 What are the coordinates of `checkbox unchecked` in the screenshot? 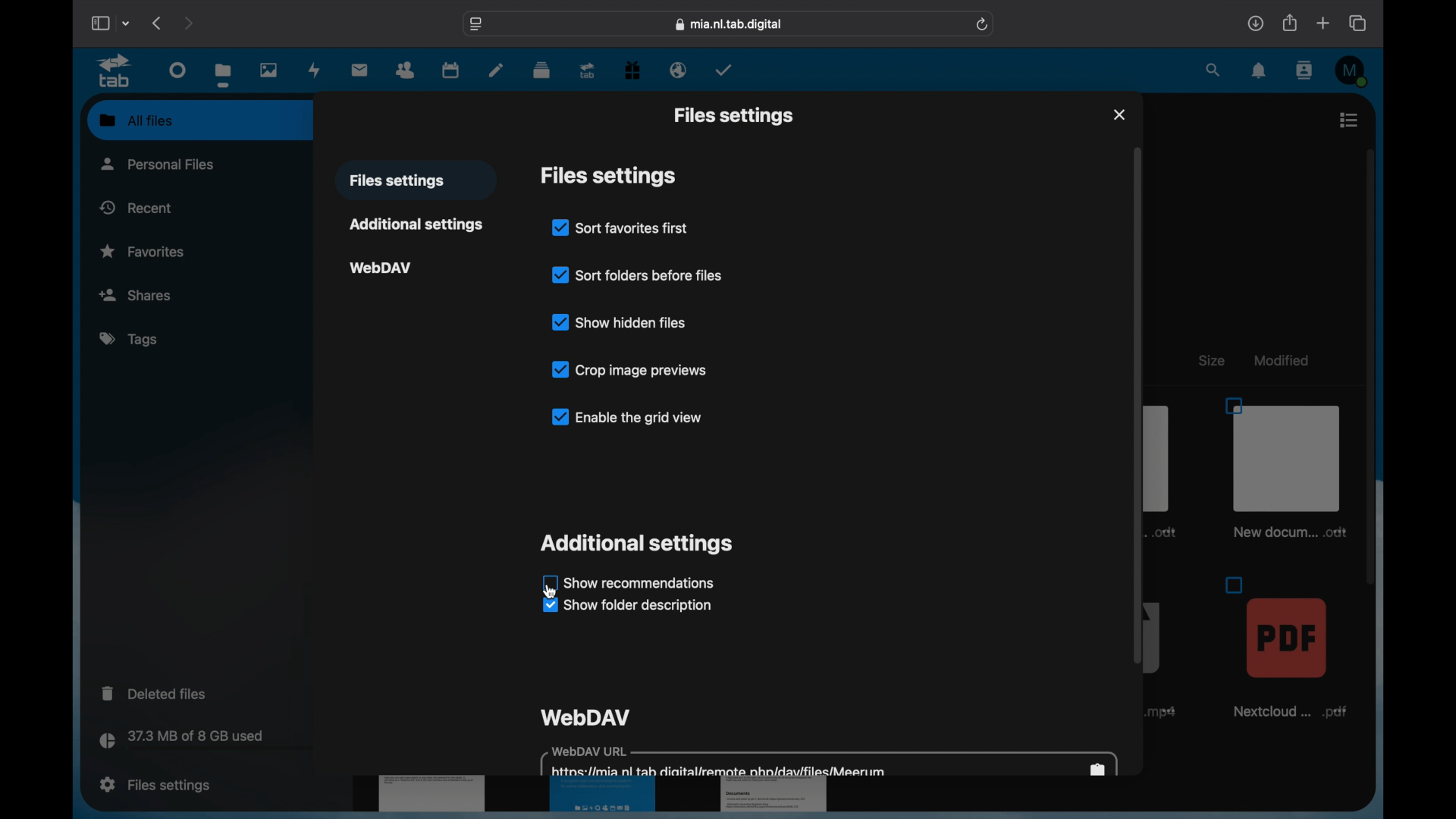 It's located at (551, 583).